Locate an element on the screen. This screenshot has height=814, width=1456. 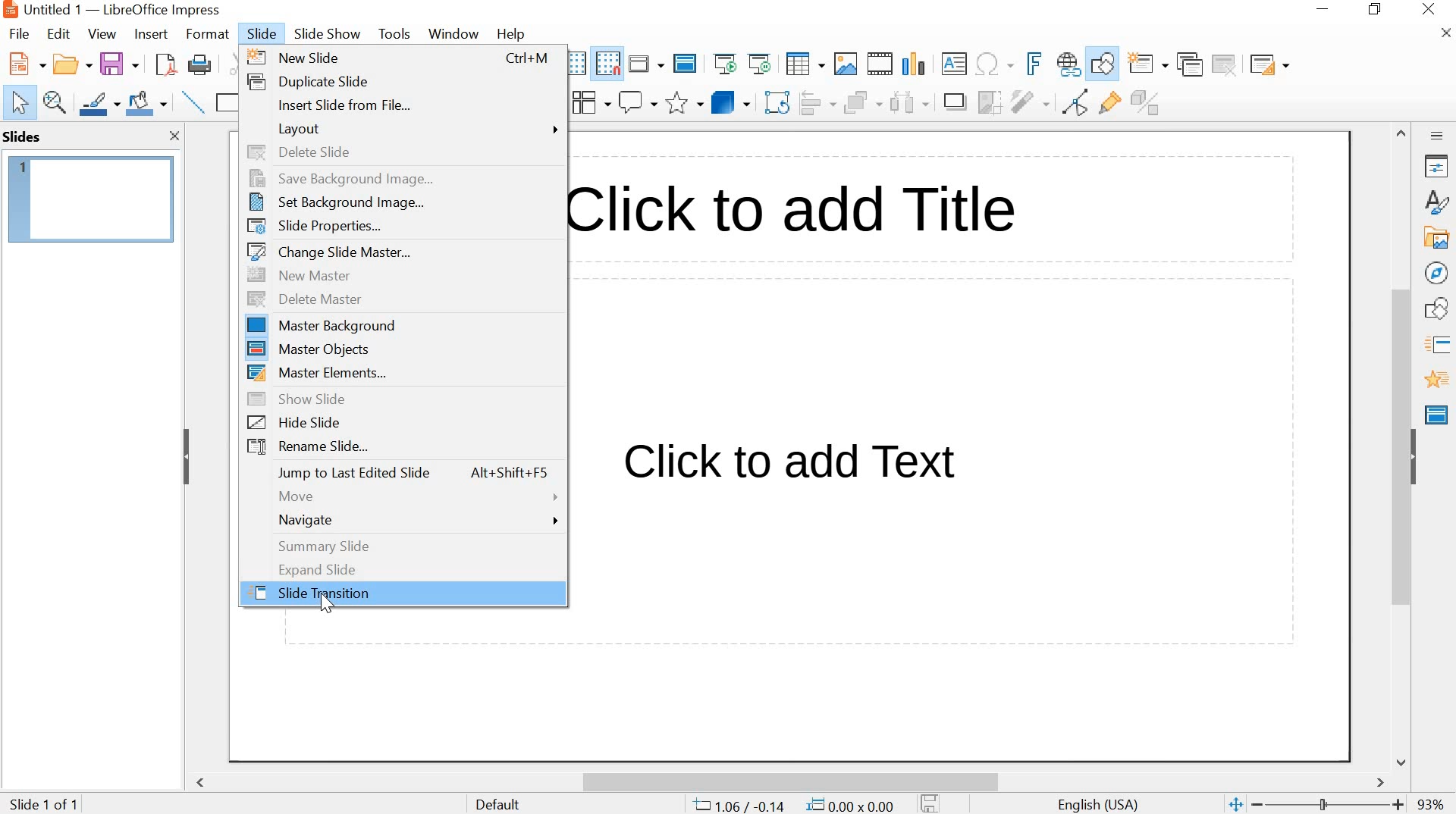
Insert Line is located at coordinates (192, 102).